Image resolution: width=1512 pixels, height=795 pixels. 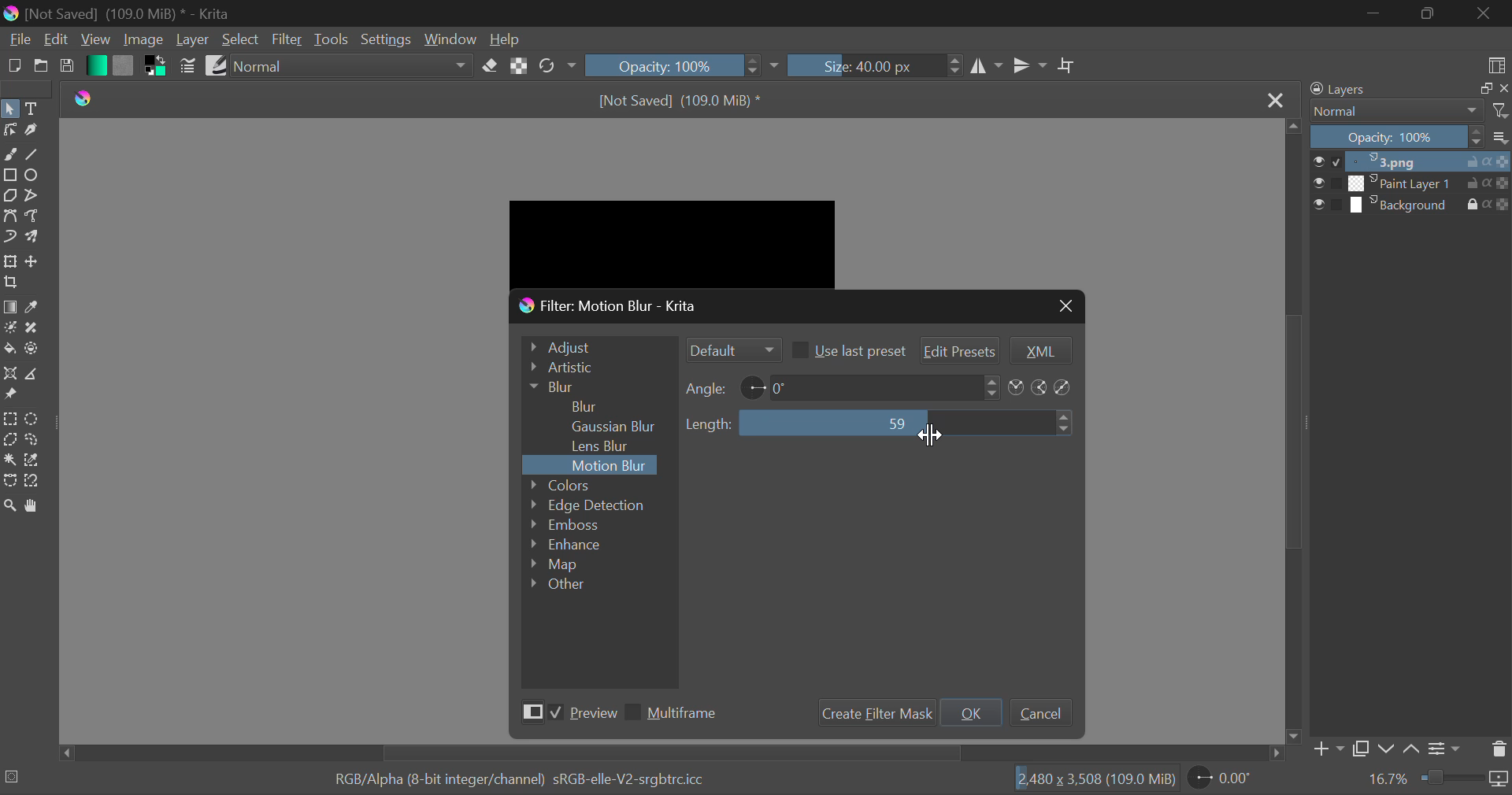 What do you see at coordinates (1064, 305) in the screenshot?
I see `Close` at bounding box center [1064, 305].